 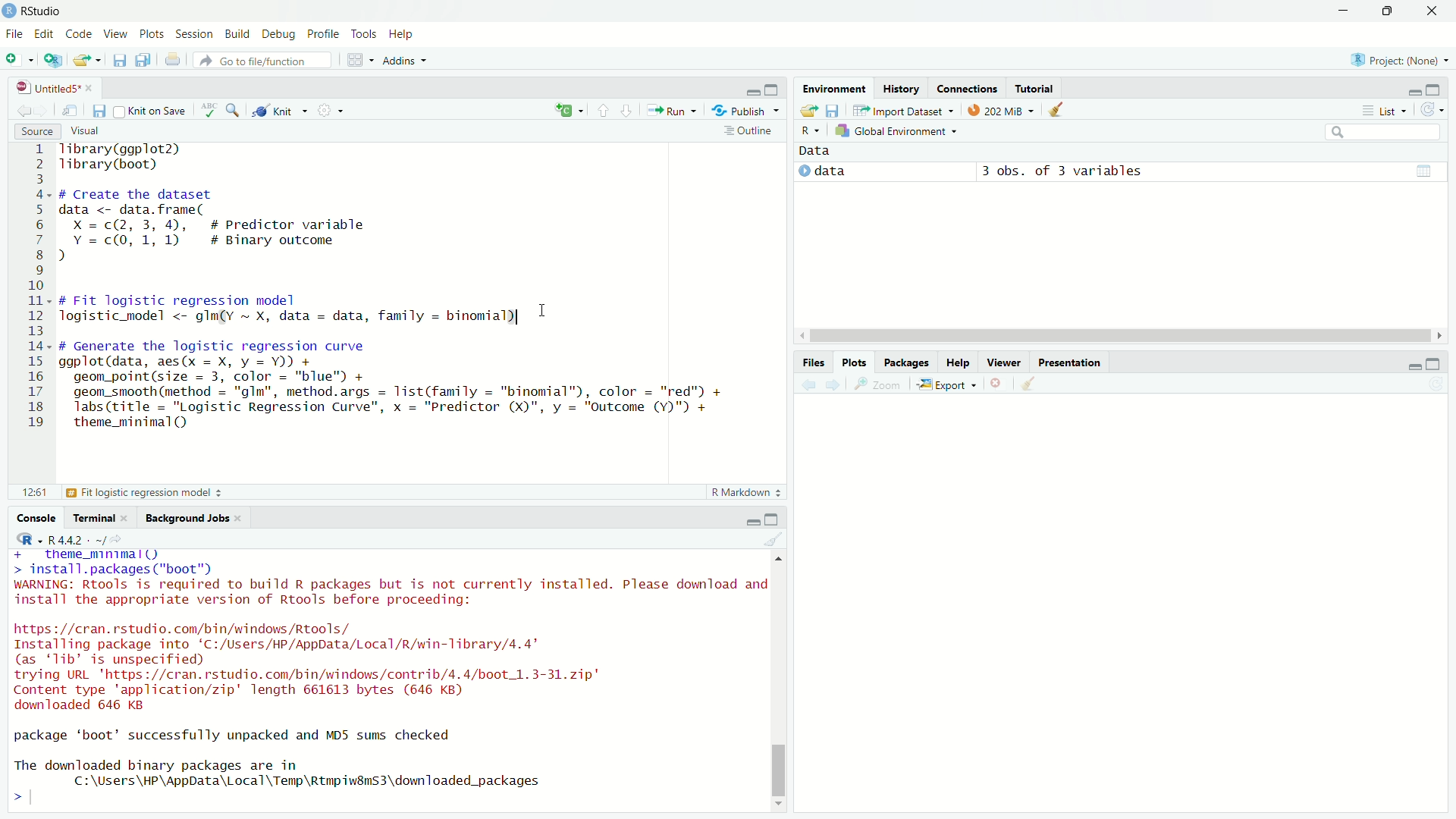 What do you see at coordinates (947, 384) in the screenshot?
I see `Export` at bounding box center [947, 384].